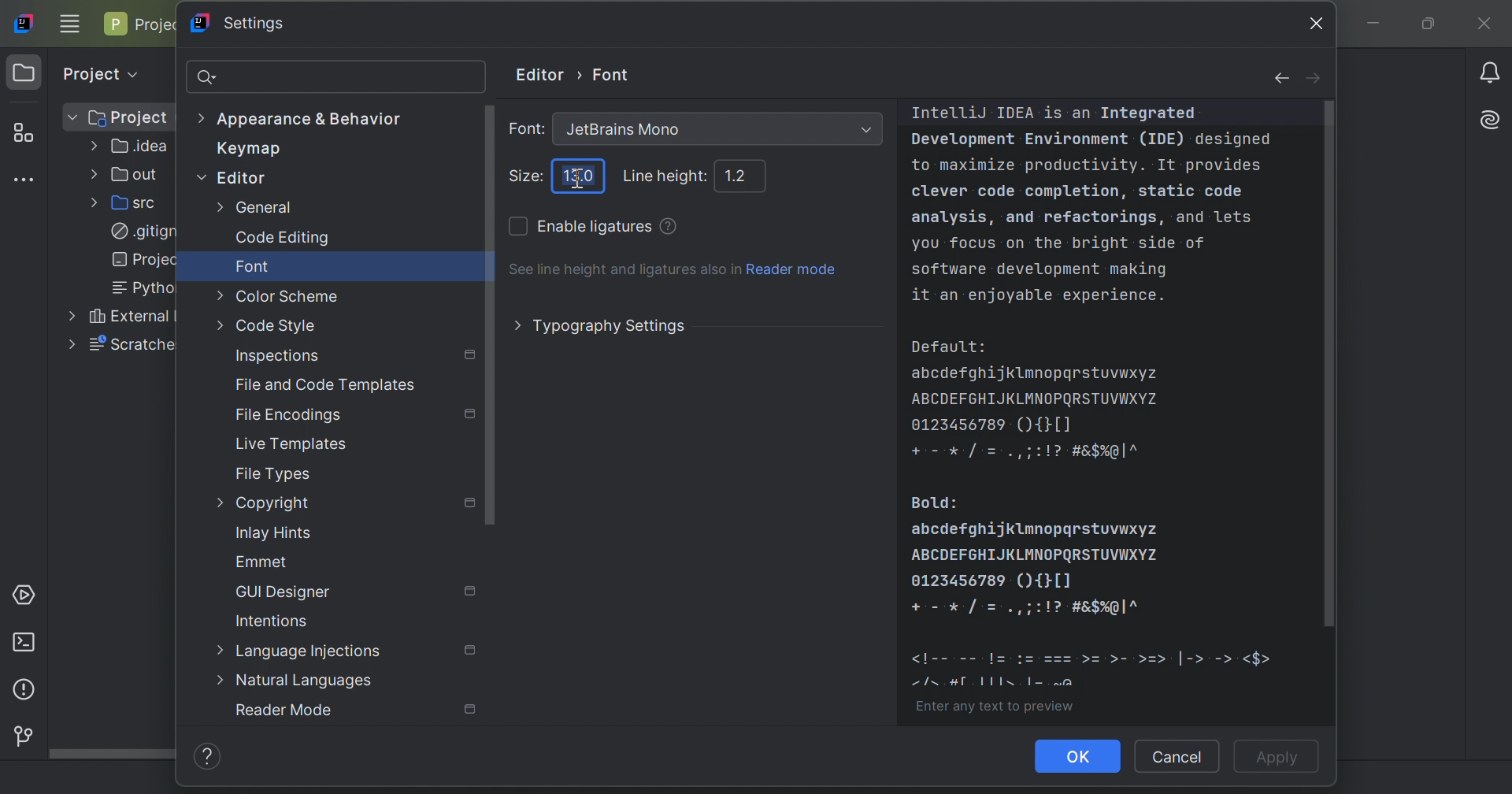  Describe the element at coordinates (283, 239) in the screenshot. I see `Code editing` at that location.